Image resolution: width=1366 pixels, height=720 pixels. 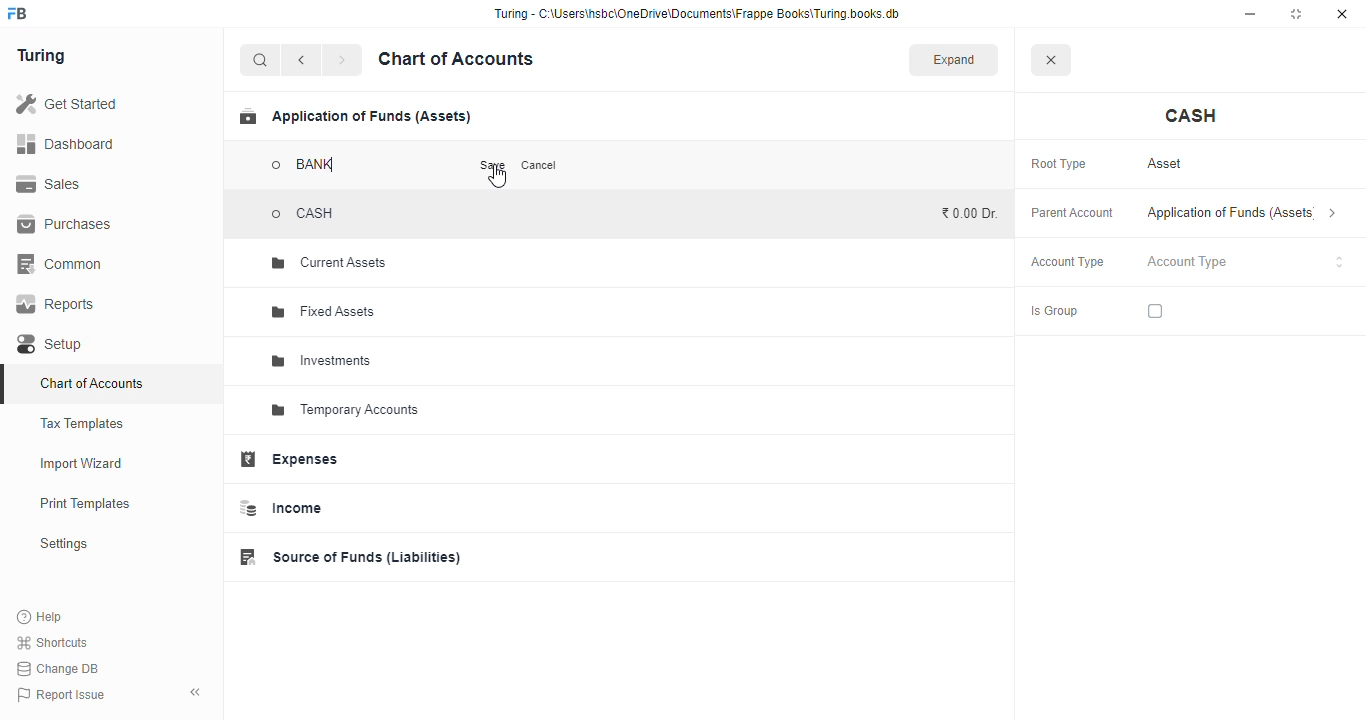 I want to click on current assets, so click(x=329, y=264).